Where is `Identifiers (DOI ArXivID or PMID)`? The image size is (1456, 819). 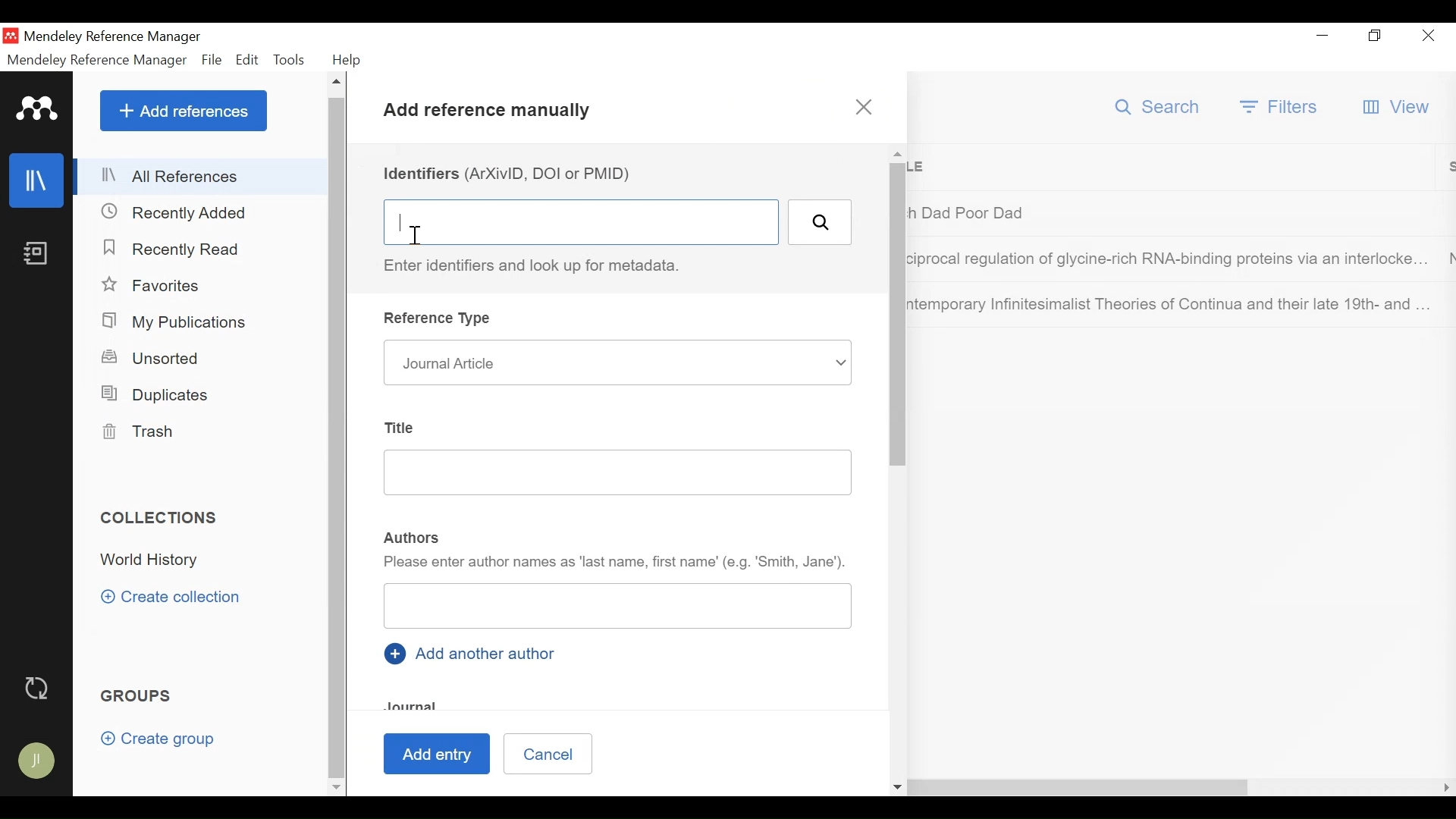
Identifiers (DOI ArXivID or PMID) is located at coordinates (512, 174).